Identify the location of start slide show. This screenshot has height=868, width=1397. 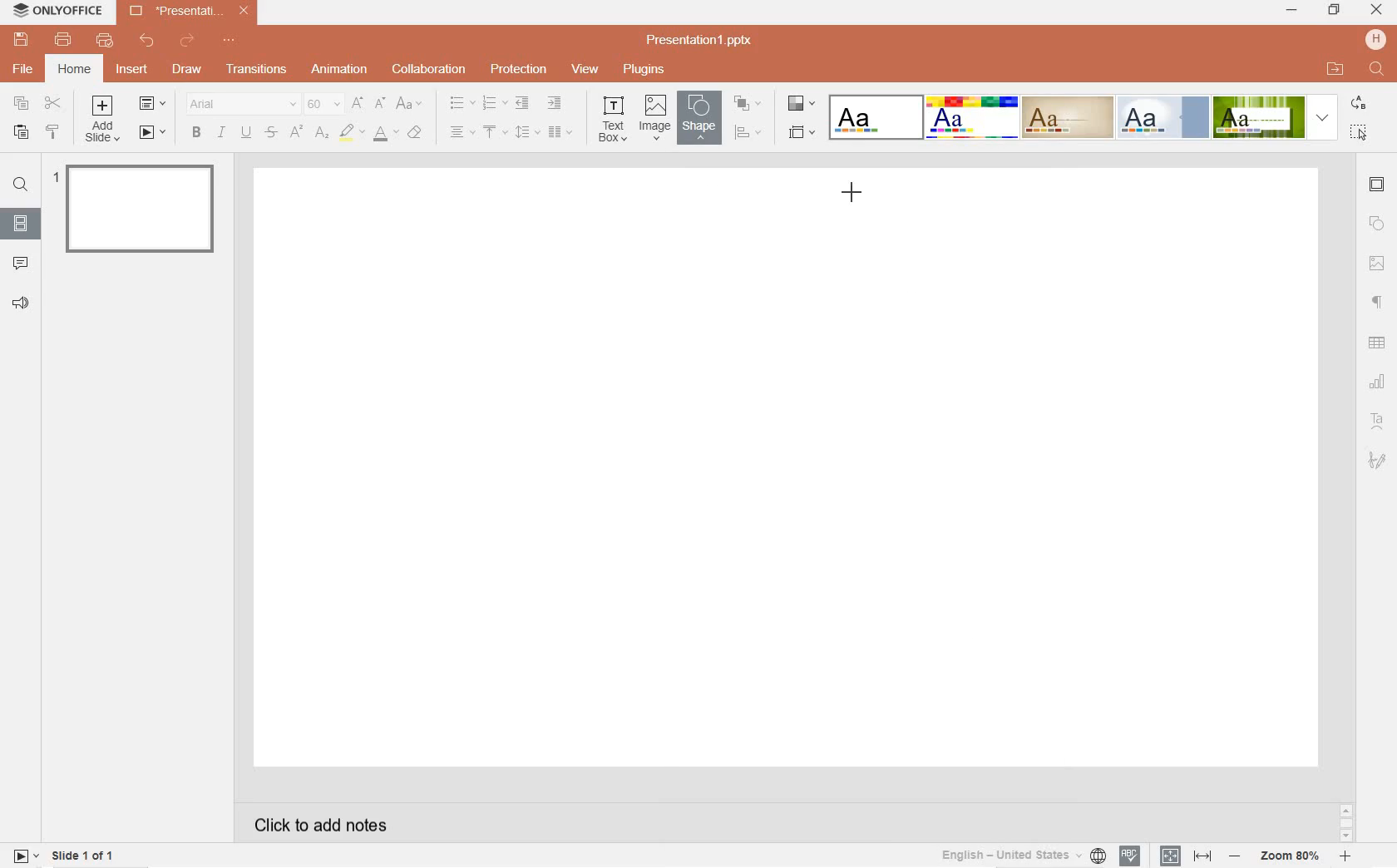
(153, 133).